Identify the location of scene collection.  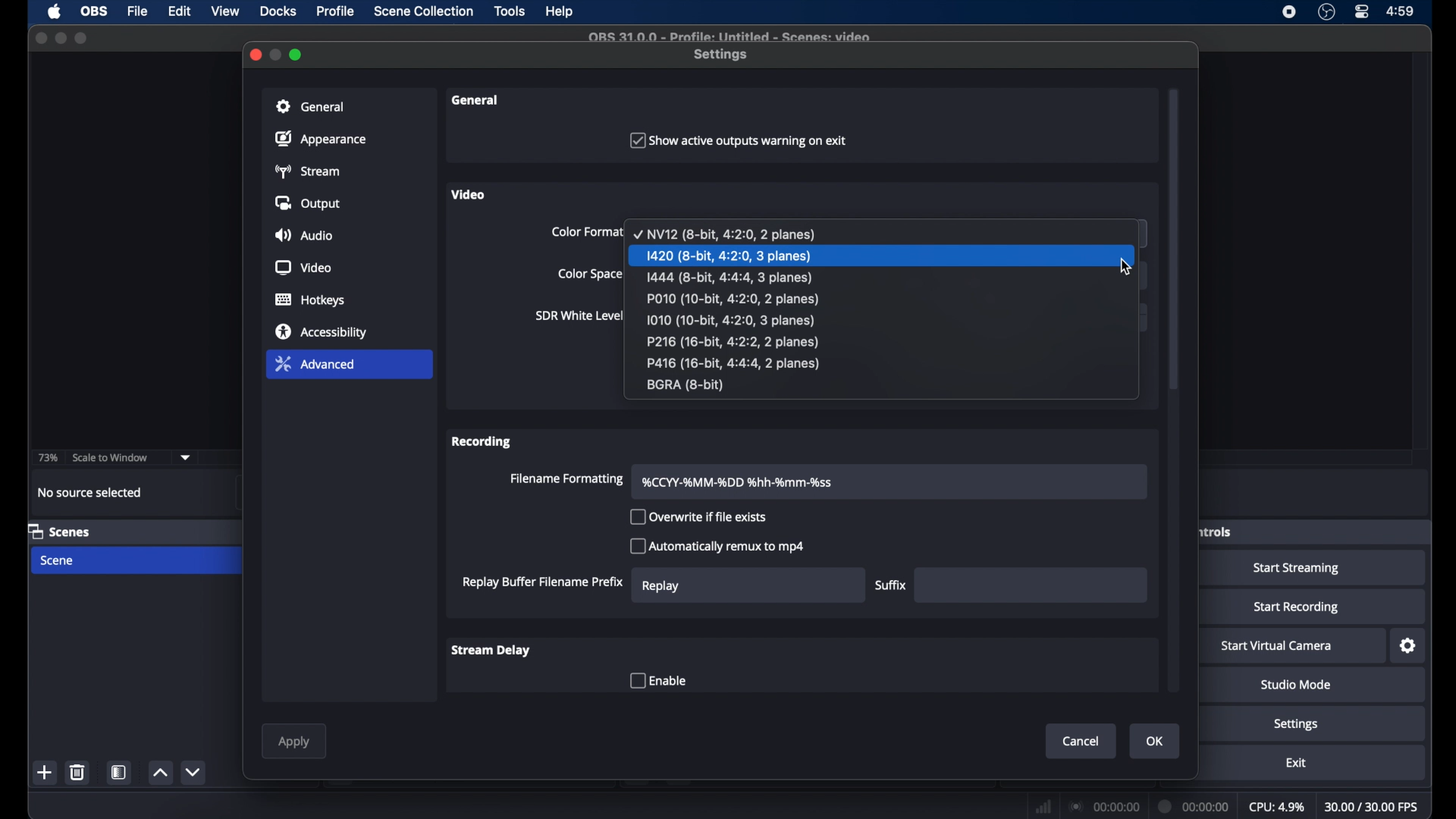
(422, 11).